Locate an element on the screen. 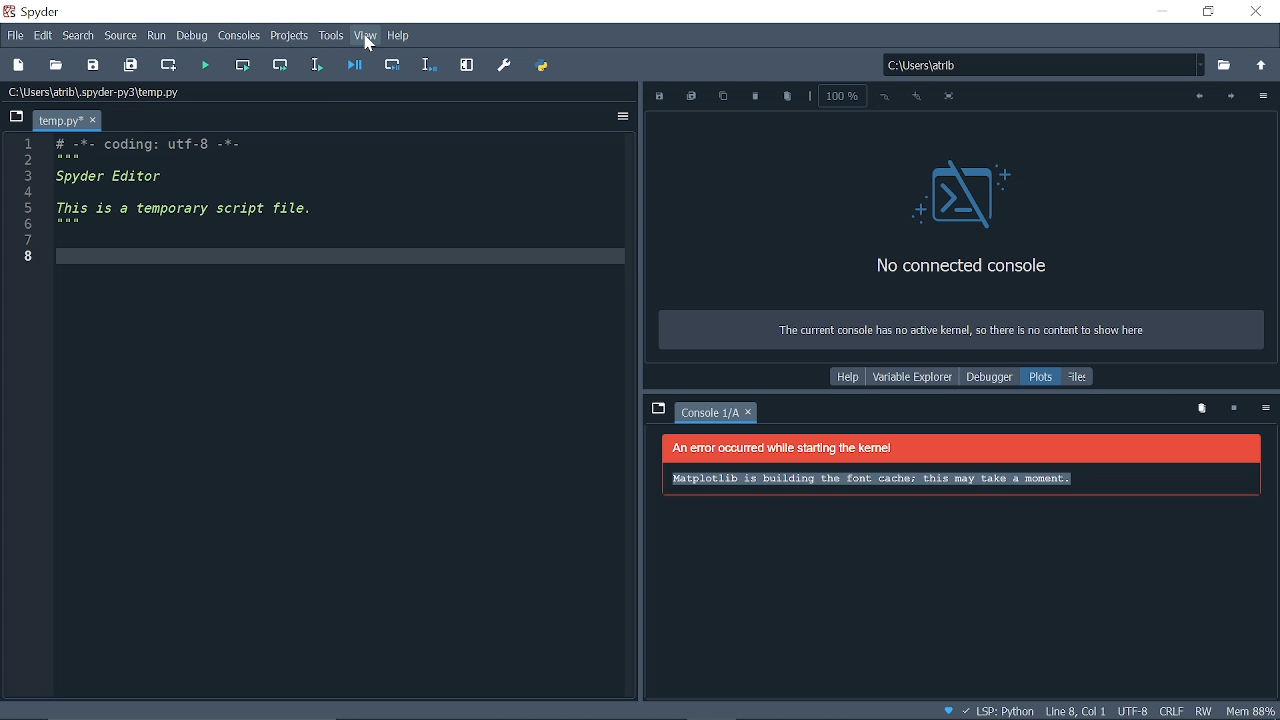  Copy plot to clipboard is located at coordinates (723, 98).